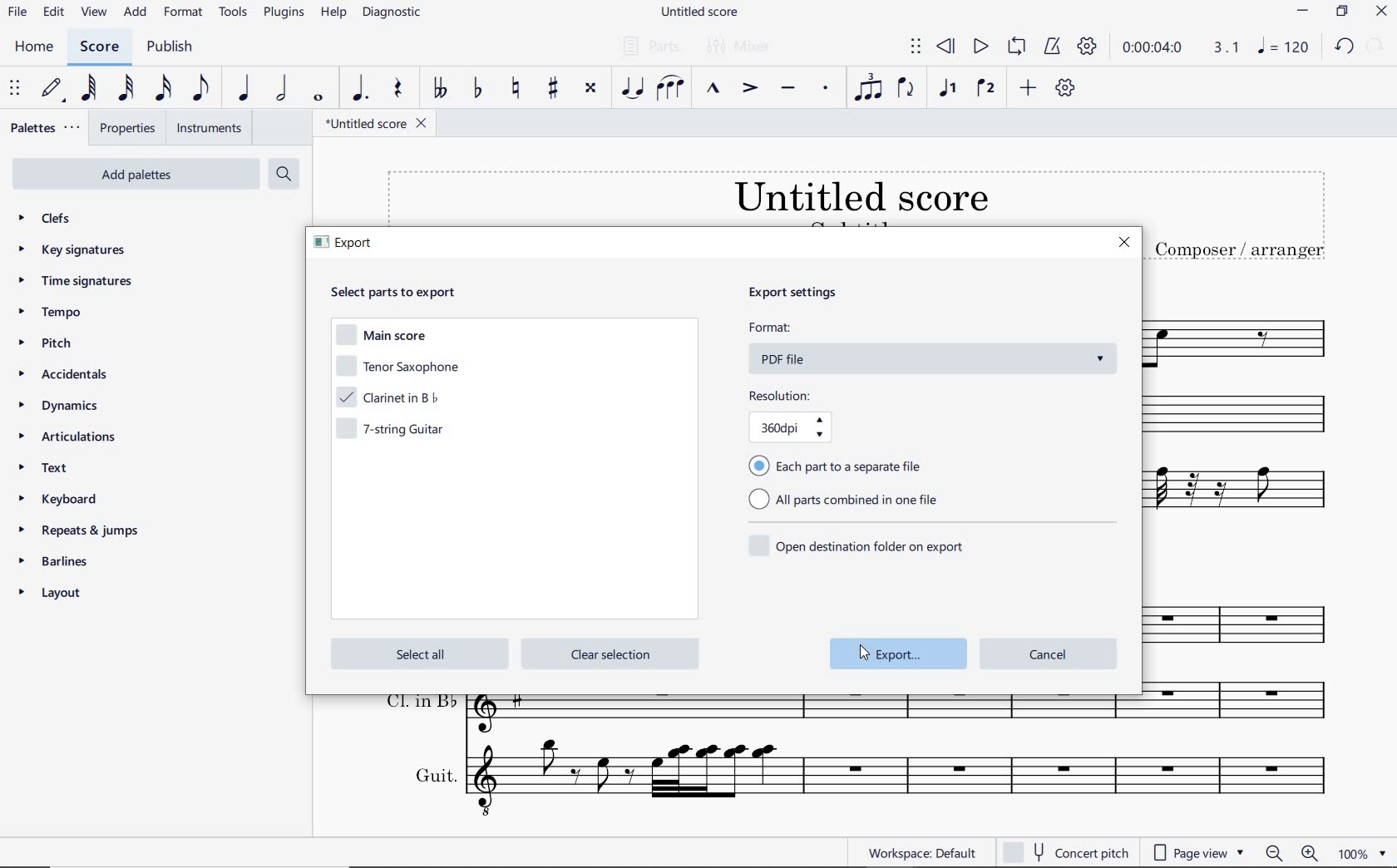 Image resolution: width=1397 pixels, height=868 pixels. Describe the element at coordinates (858, 544) in the screenshot. I see `open destination folder on export` at that location.